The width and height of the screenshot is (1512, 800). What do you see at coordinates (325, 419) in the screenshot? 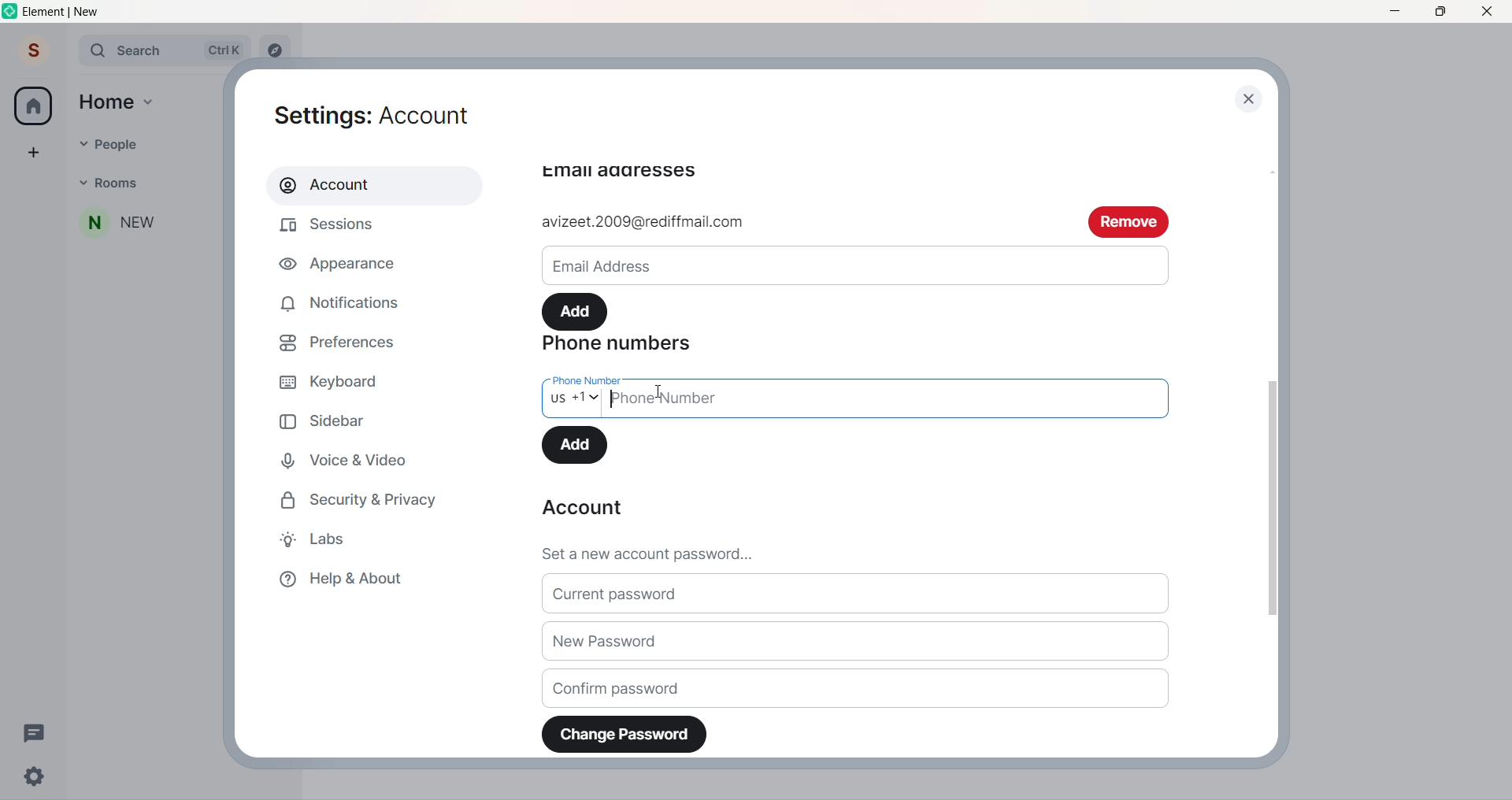
I see `Sidebar` at bounding box center [325, 419].